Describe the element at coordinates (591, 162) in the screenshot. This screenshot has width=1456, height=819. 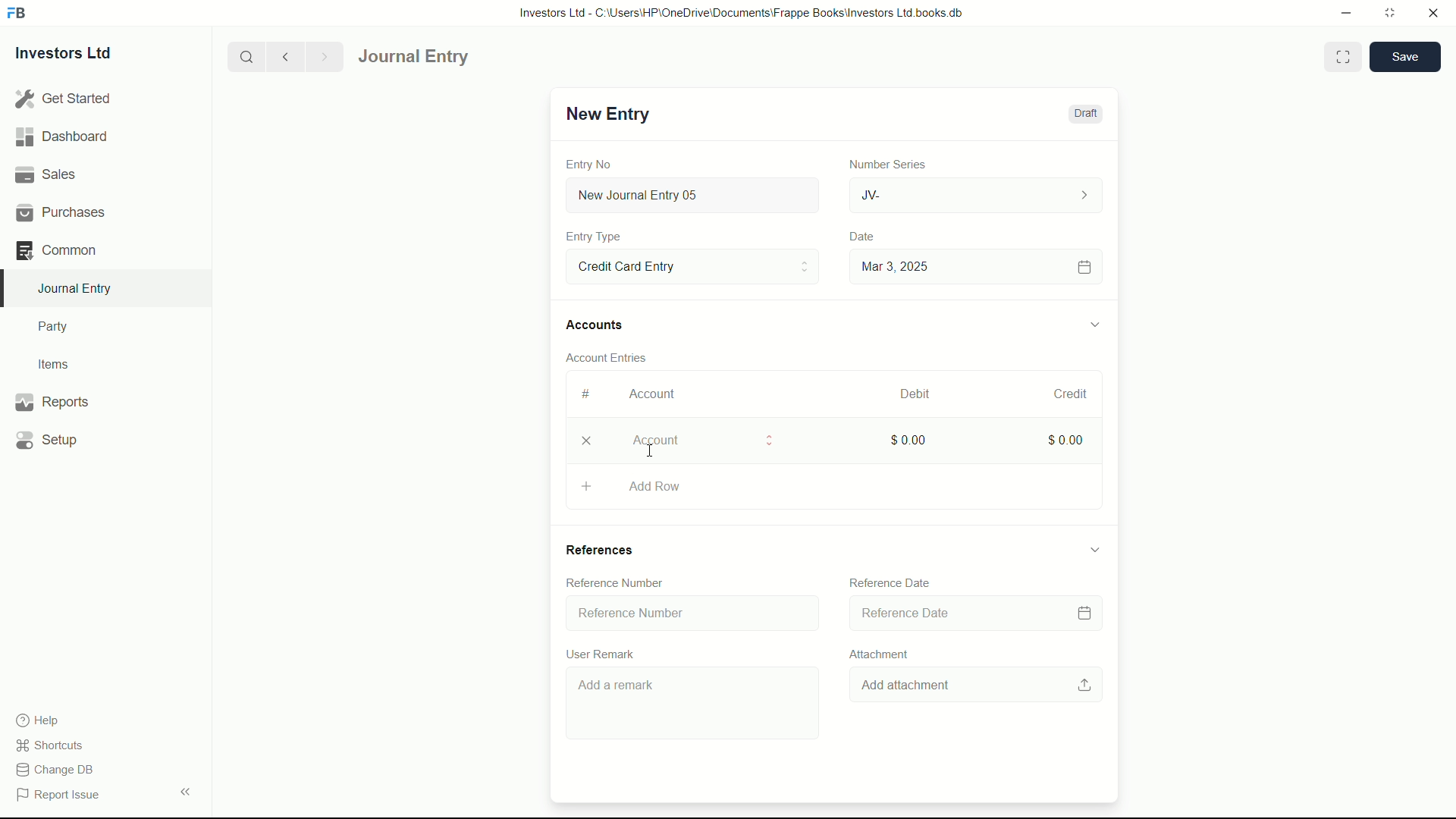
I see `Entry No` at that location.